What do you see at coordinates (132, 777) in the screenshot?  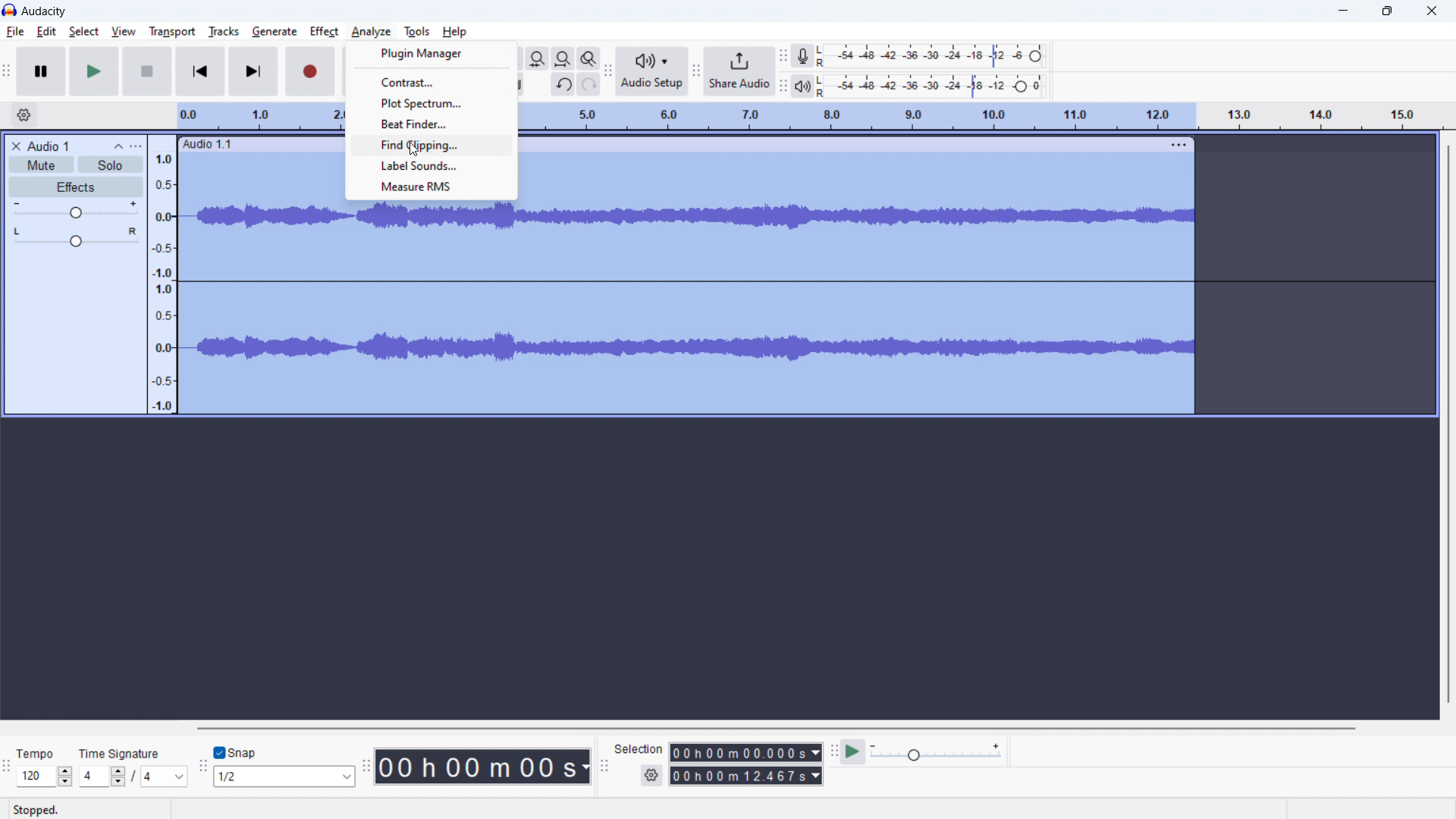 I see `time signature toolbar` at bounding box center [132, 777].